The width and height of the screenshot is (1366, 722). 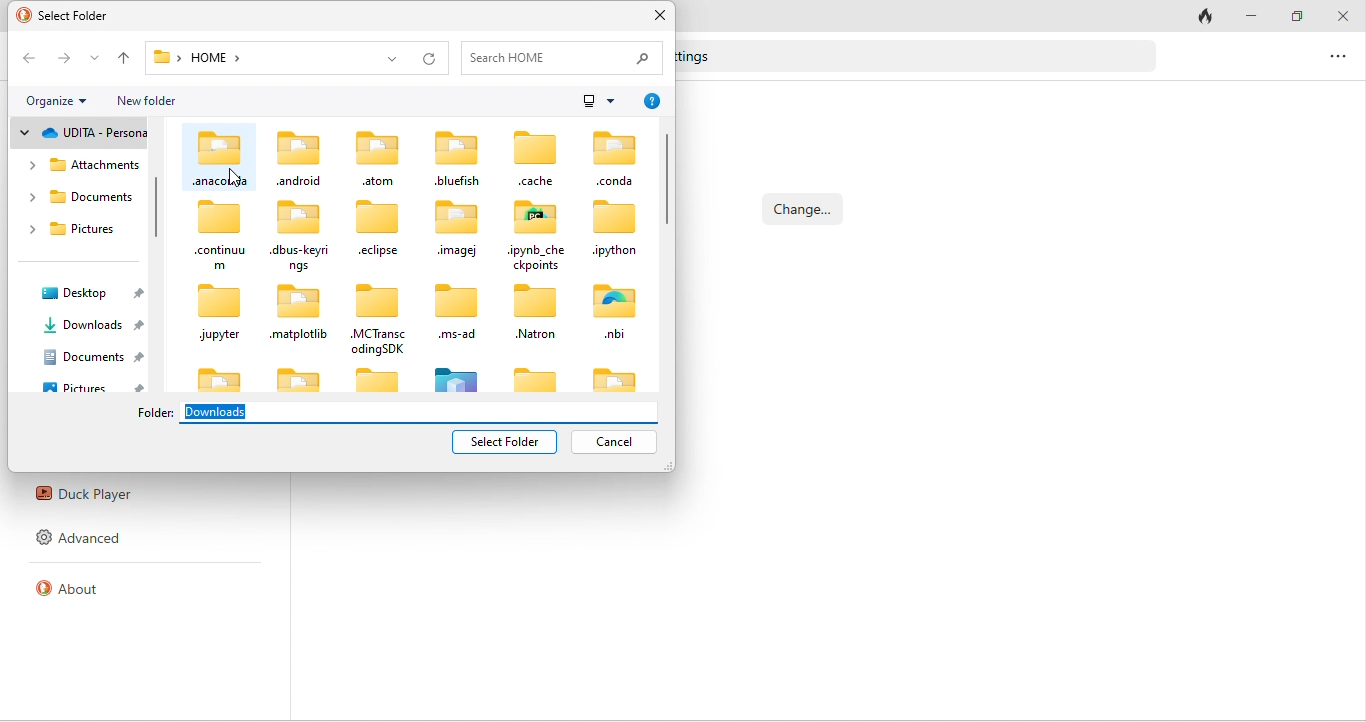 I want to click on vertical scroll bar, so click(x=667, y=179).